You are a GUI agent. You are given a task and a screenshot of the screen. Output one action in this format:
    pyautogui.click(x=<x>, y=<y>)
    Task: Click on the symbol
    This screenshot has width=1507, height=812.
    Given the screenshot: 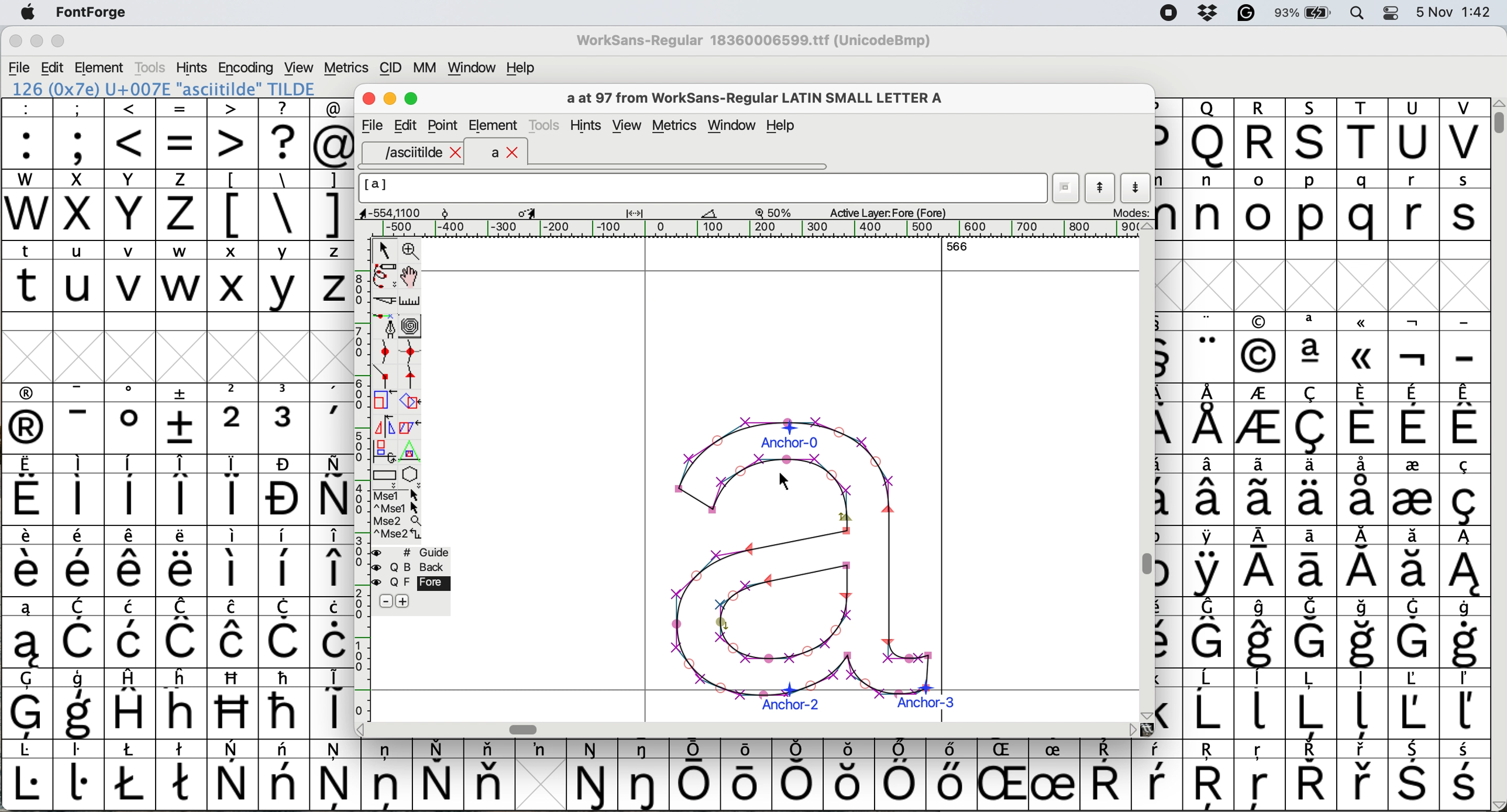 What is the action you would take?
    pyautogui.click(x=1365, y=634)
    